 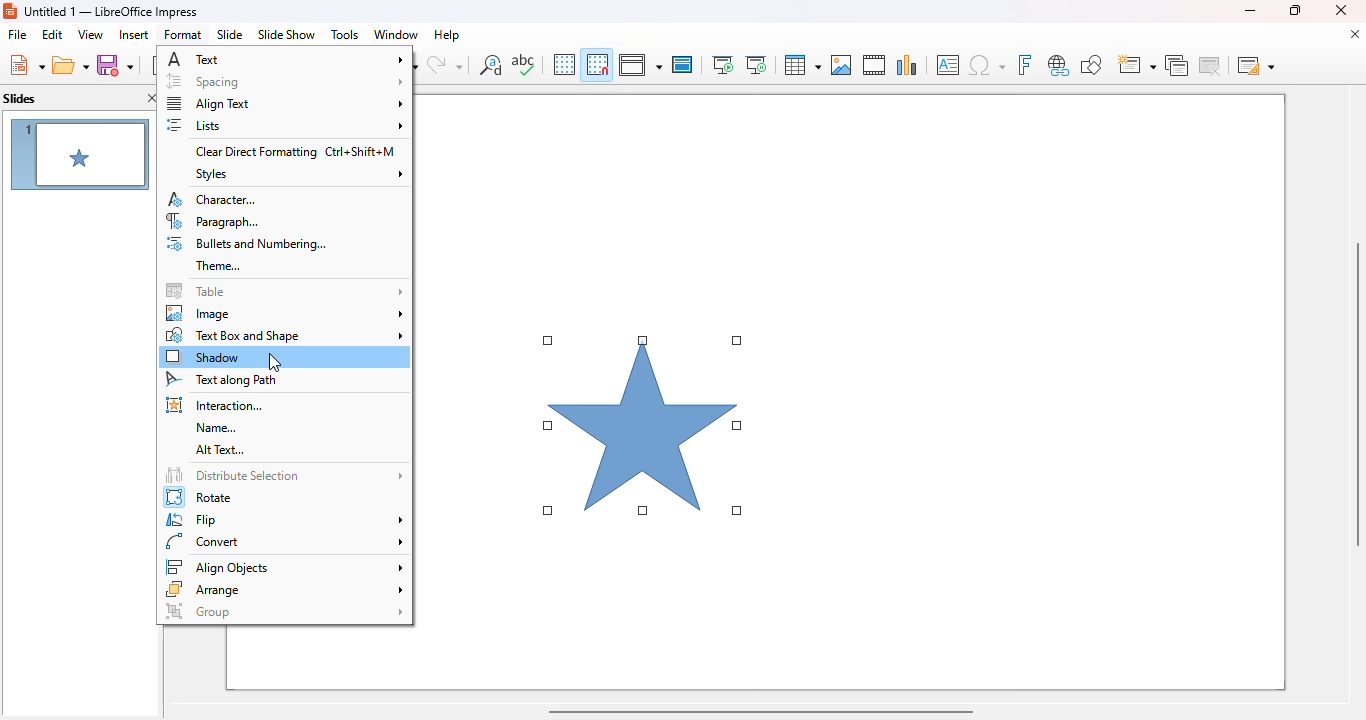 What do you see at coordinates (1177, 65) in the screenshot?
I see `duplicate slide` at bounding box center [1177, 65].